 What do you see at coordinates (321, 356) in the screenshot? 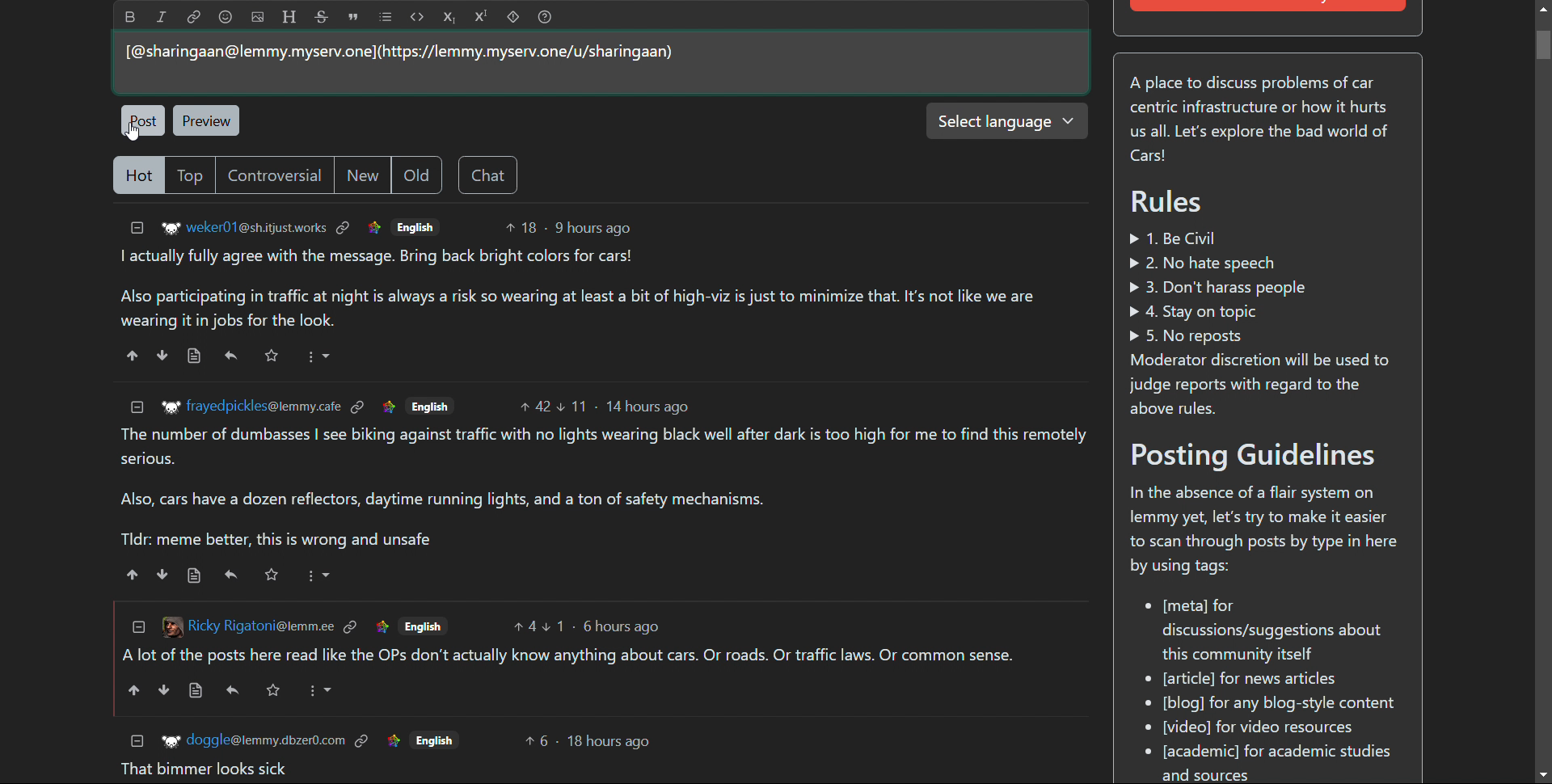
I see `More` at bounding box center [321, 356].